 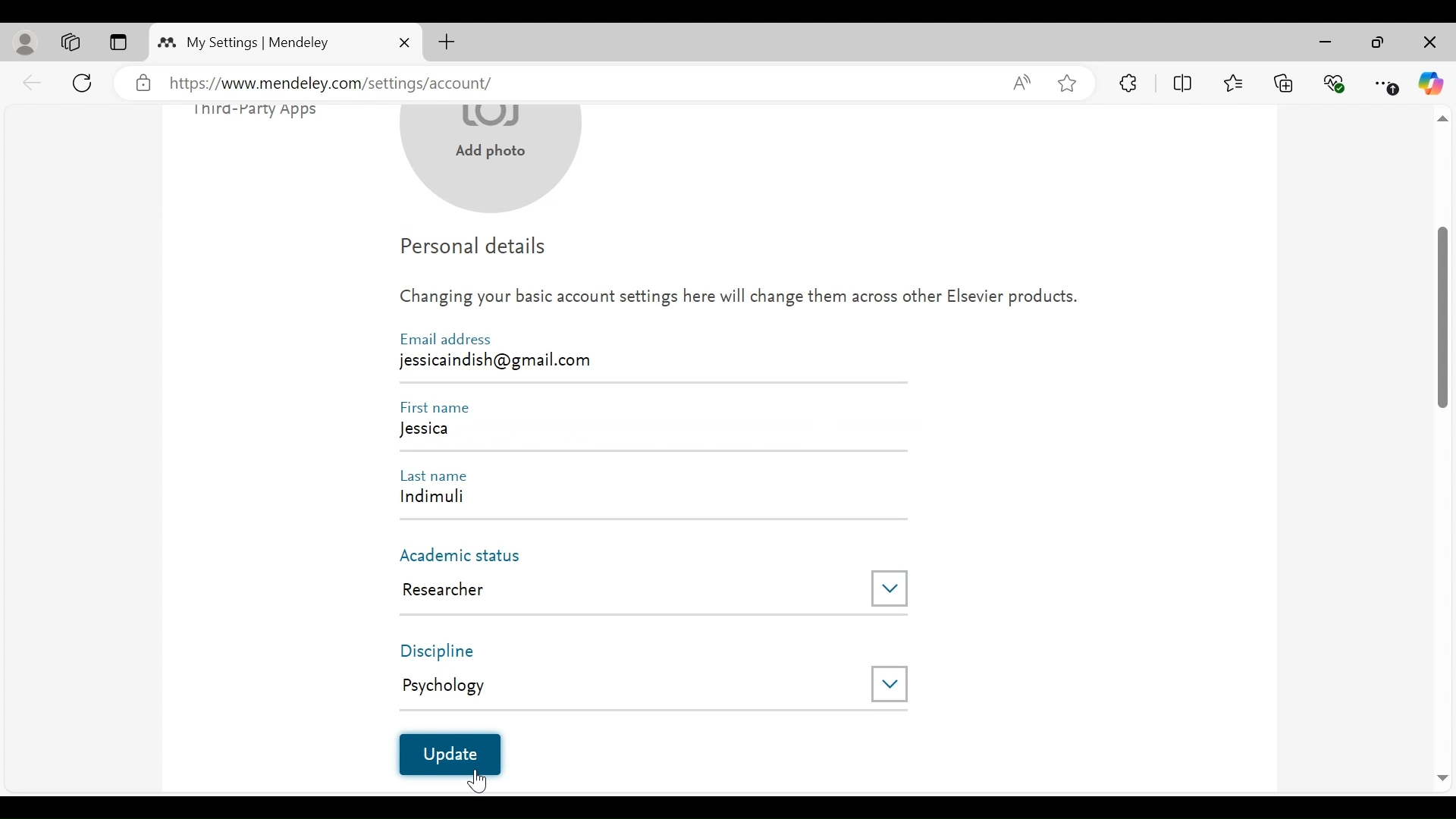 I want to click on personal, so click(x=27, y=43).